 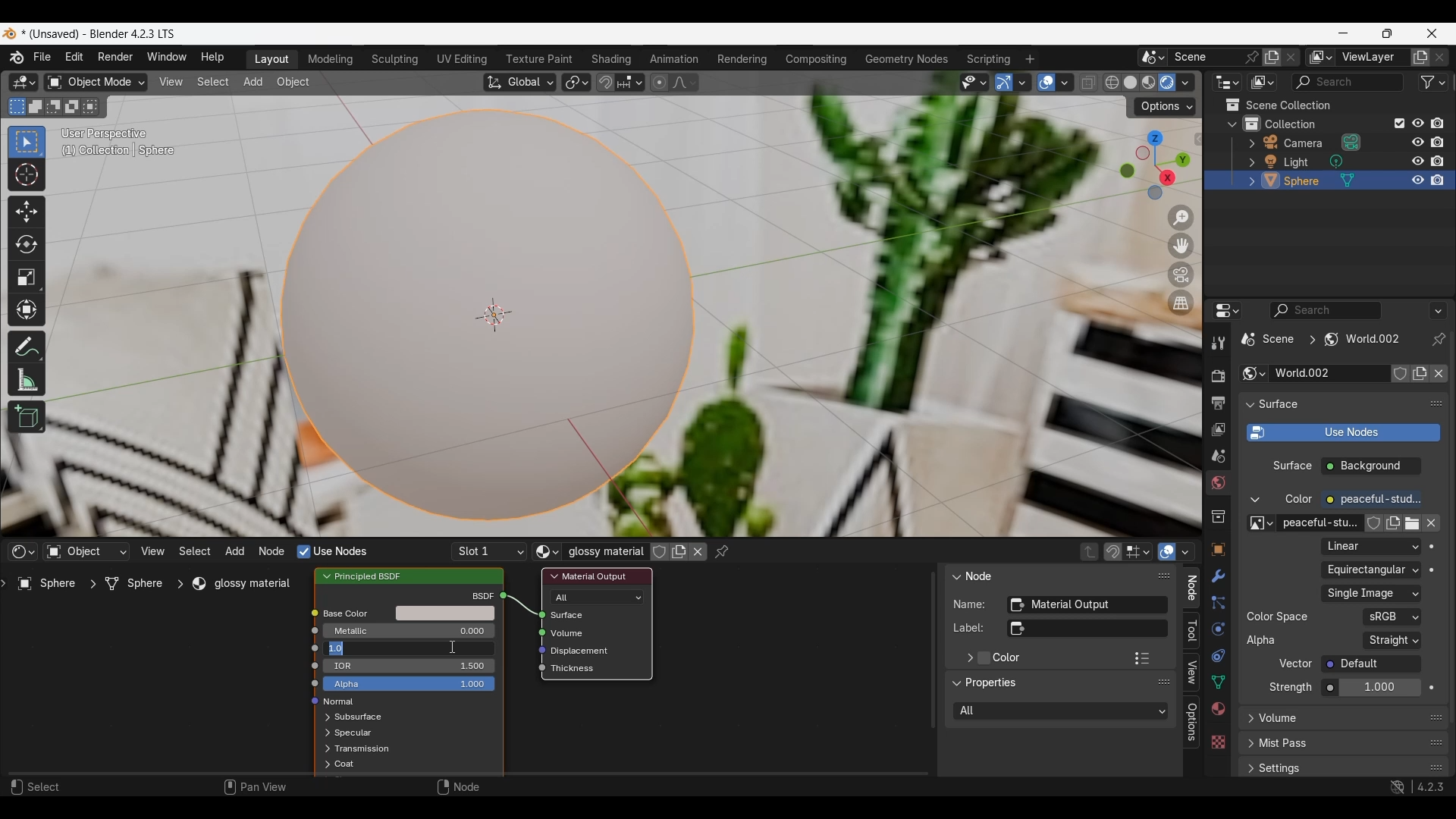 What do you see at coordinates (1371, 500) in the screenshot?
I see `Color of the emitted light` at bounding box center [1371, 500].